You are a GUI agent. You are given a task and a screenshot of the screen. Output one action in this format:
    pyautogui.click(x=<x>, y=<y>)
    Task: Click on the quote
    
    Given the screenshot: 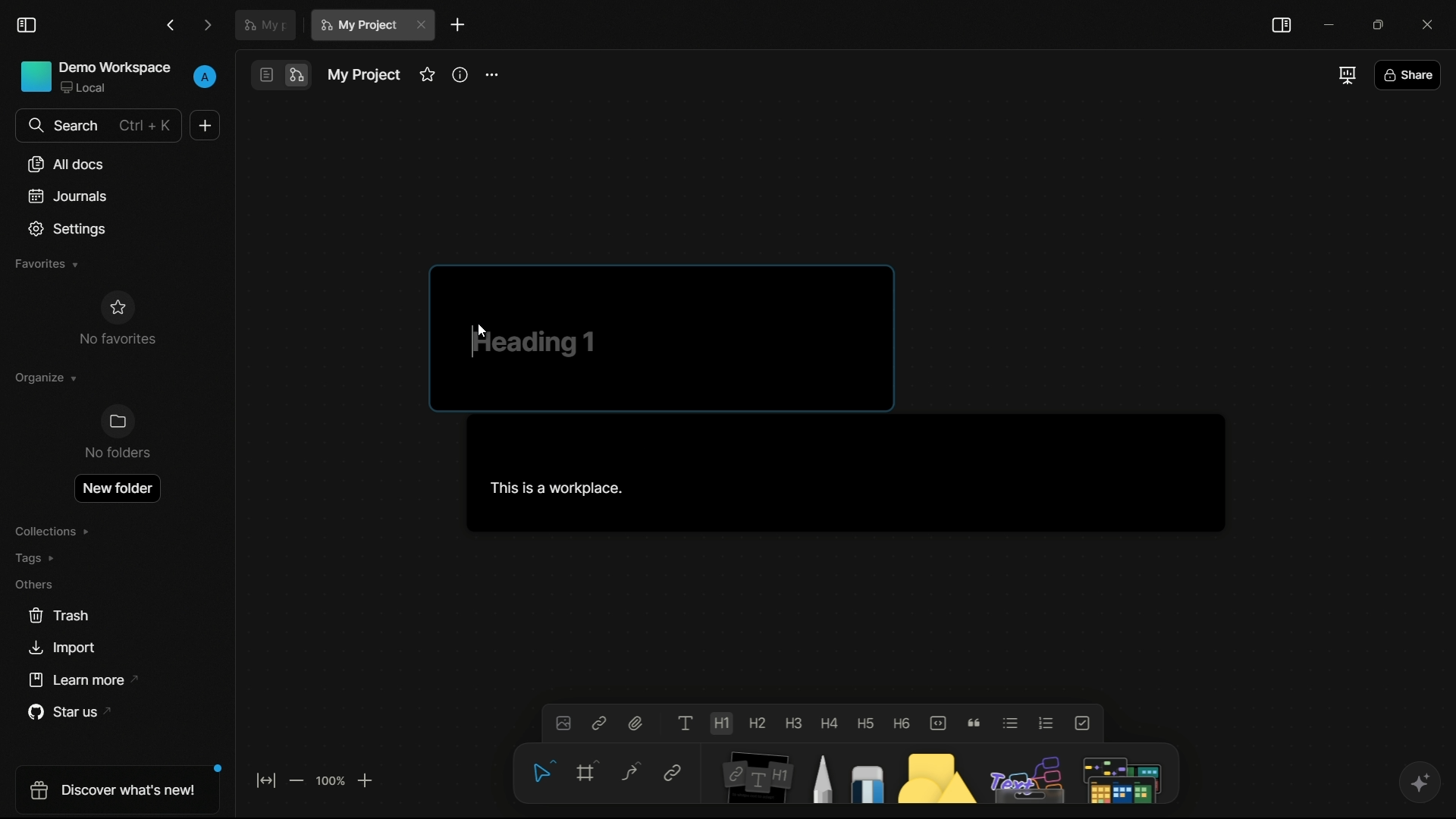 What is the action you would take?
    pyautogui.click(x=976, y=718)
    